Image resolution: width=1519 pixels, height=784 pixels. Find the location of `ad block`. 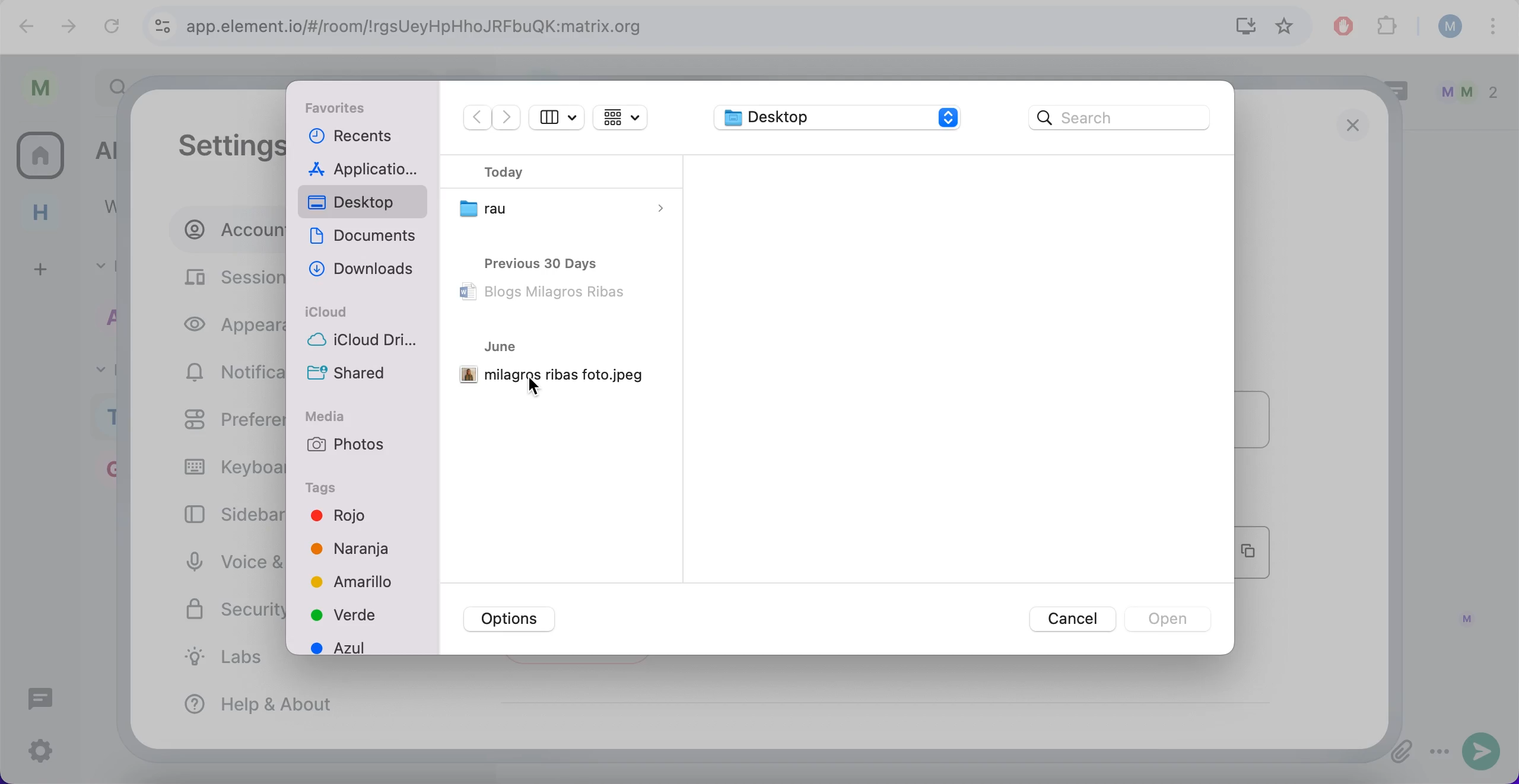

ad block is located at coordinates (1340, 26).